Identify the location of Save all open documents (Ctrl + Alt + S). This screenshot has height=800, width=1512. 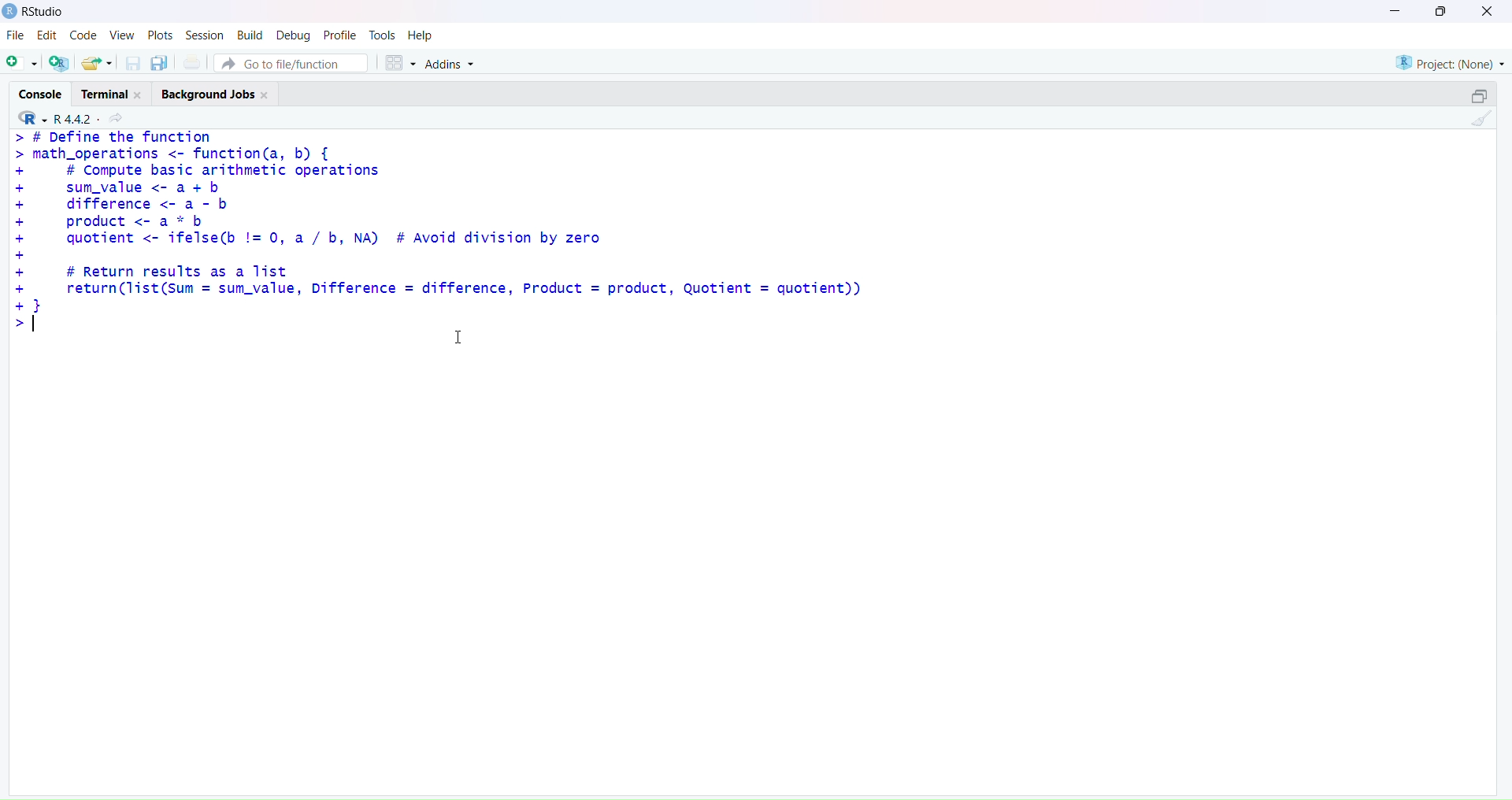
(158, 61).